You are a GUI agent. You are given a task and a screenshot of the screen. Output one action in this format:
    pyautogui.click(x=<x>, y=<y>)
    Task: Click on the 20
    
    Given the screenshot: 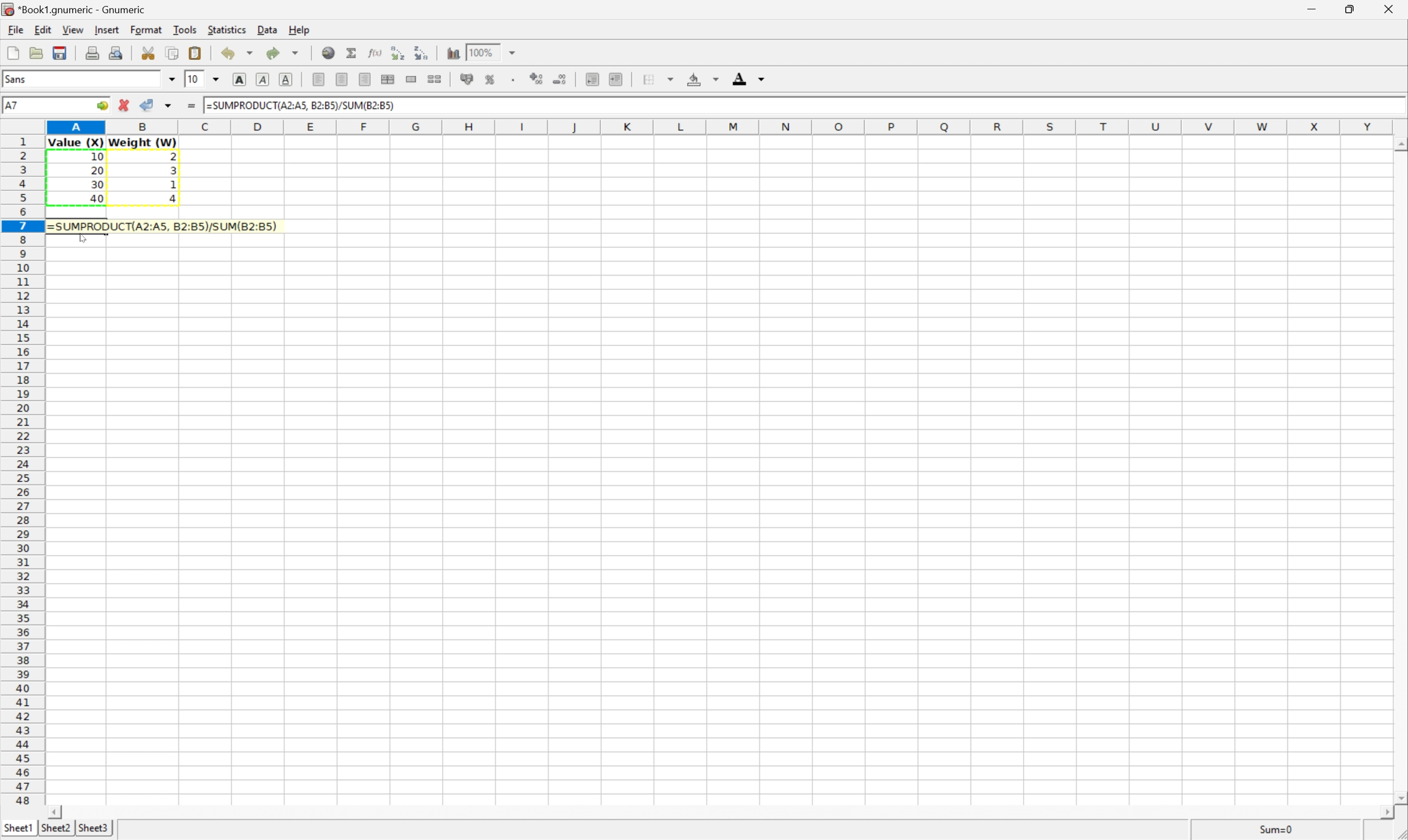 What is the action you would take?
    pyautogui.click(x=98, y=169)
    